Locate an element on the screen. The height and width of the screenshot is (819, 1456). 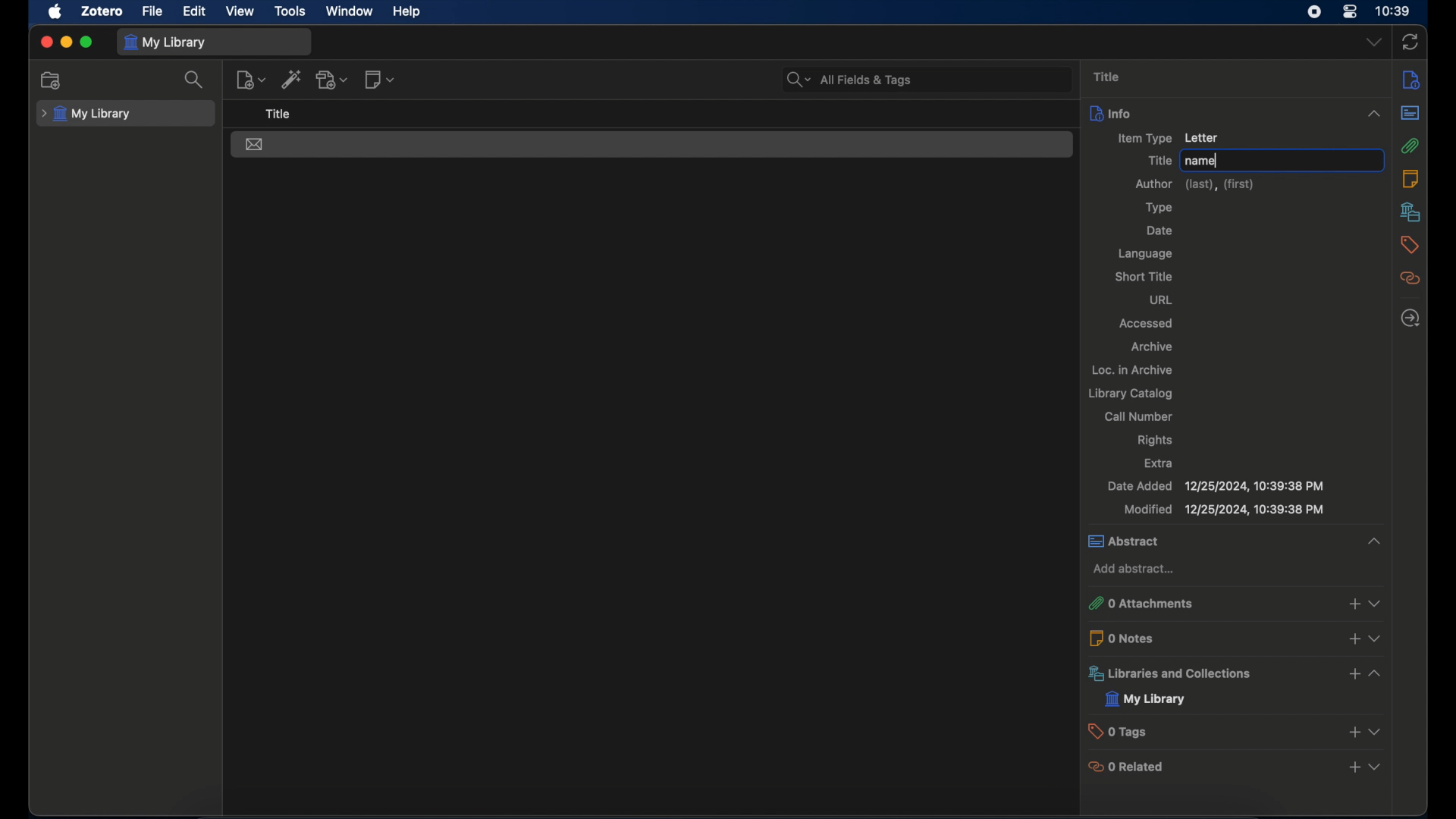
control center is located at coordinates (1350, 11).